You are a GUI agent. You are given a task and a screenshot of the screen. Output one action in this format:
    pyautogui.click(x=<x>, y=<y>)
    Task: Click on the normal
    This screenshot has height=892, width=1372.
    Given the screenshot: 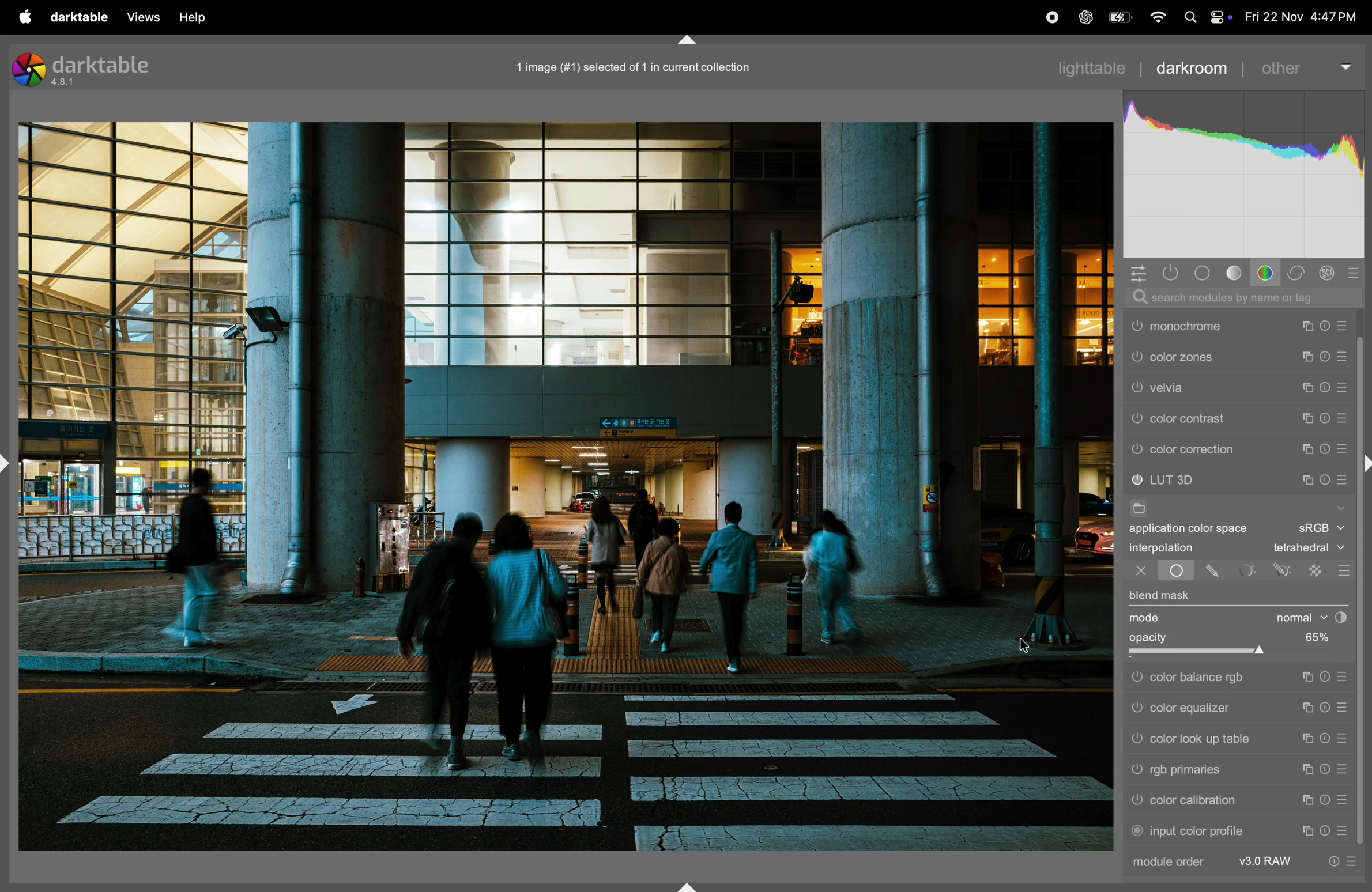 What is the action you would take?
    pyautogui.click(x=1292, y=617)
    